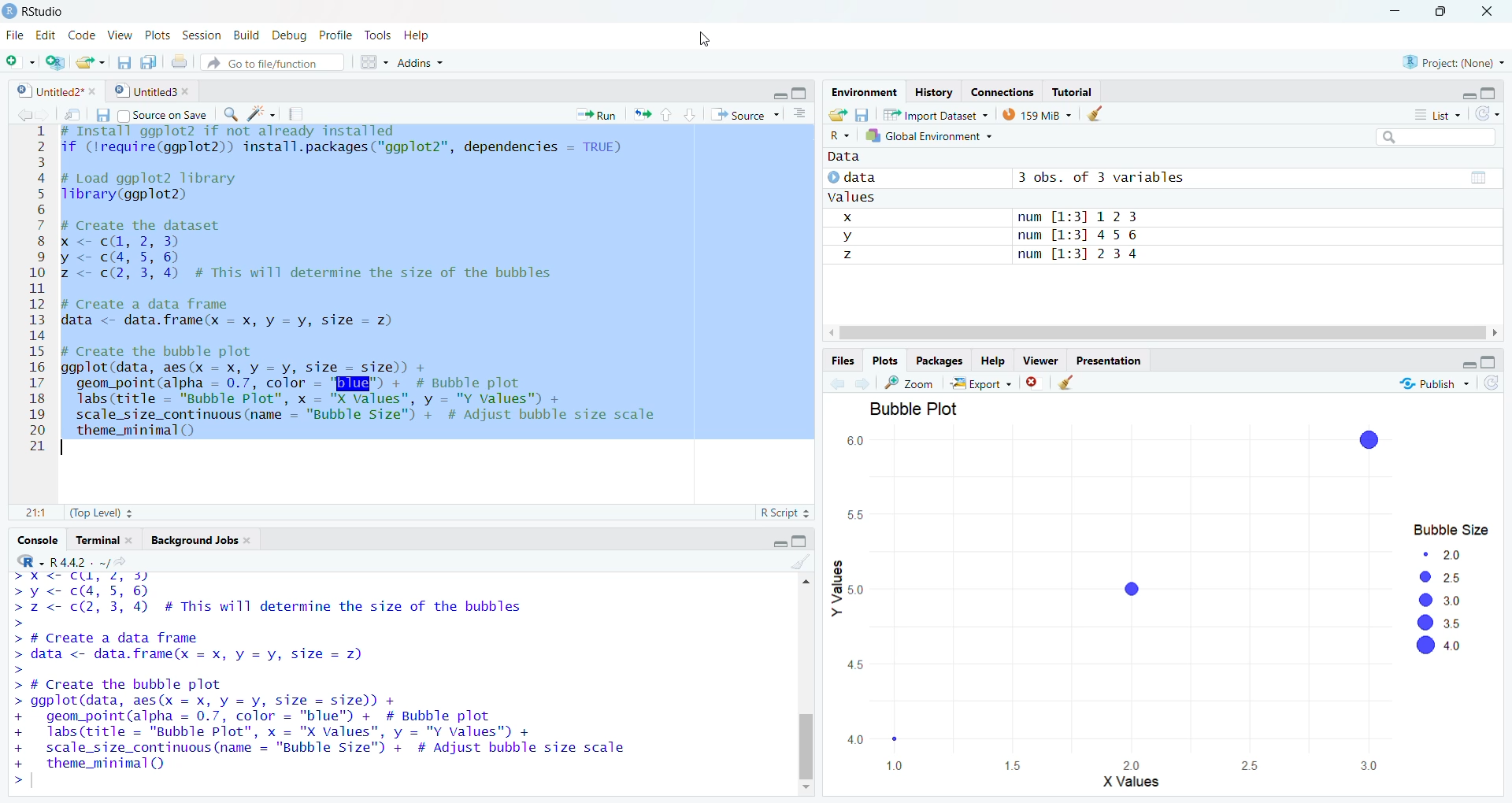 This screenshot has height=803, width=1512. I want to click on Go to file/function, so click(272, 62).